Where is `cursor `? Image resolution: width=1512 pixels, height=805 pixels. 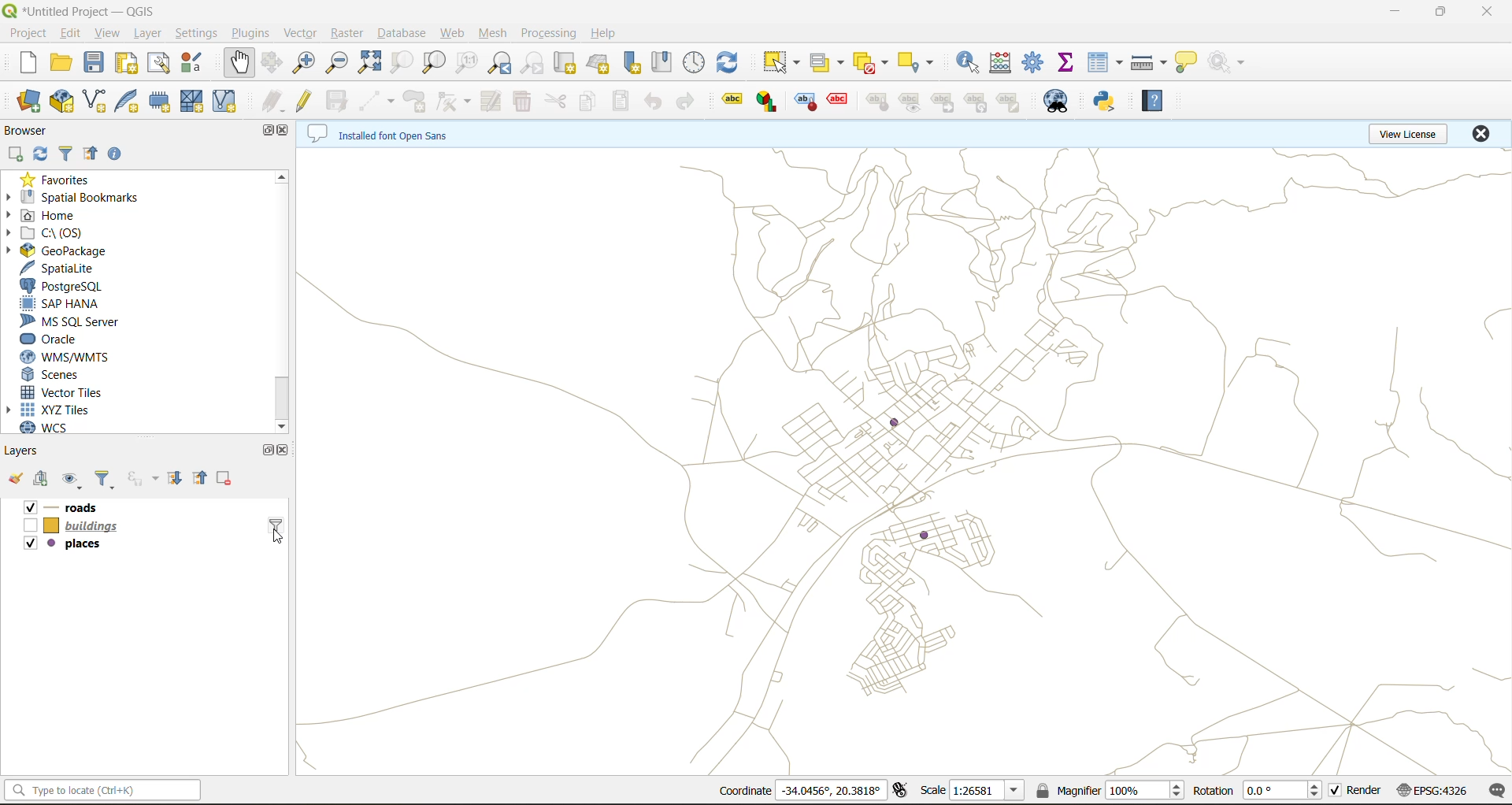 cursor  is located at coordinates (275, 538).